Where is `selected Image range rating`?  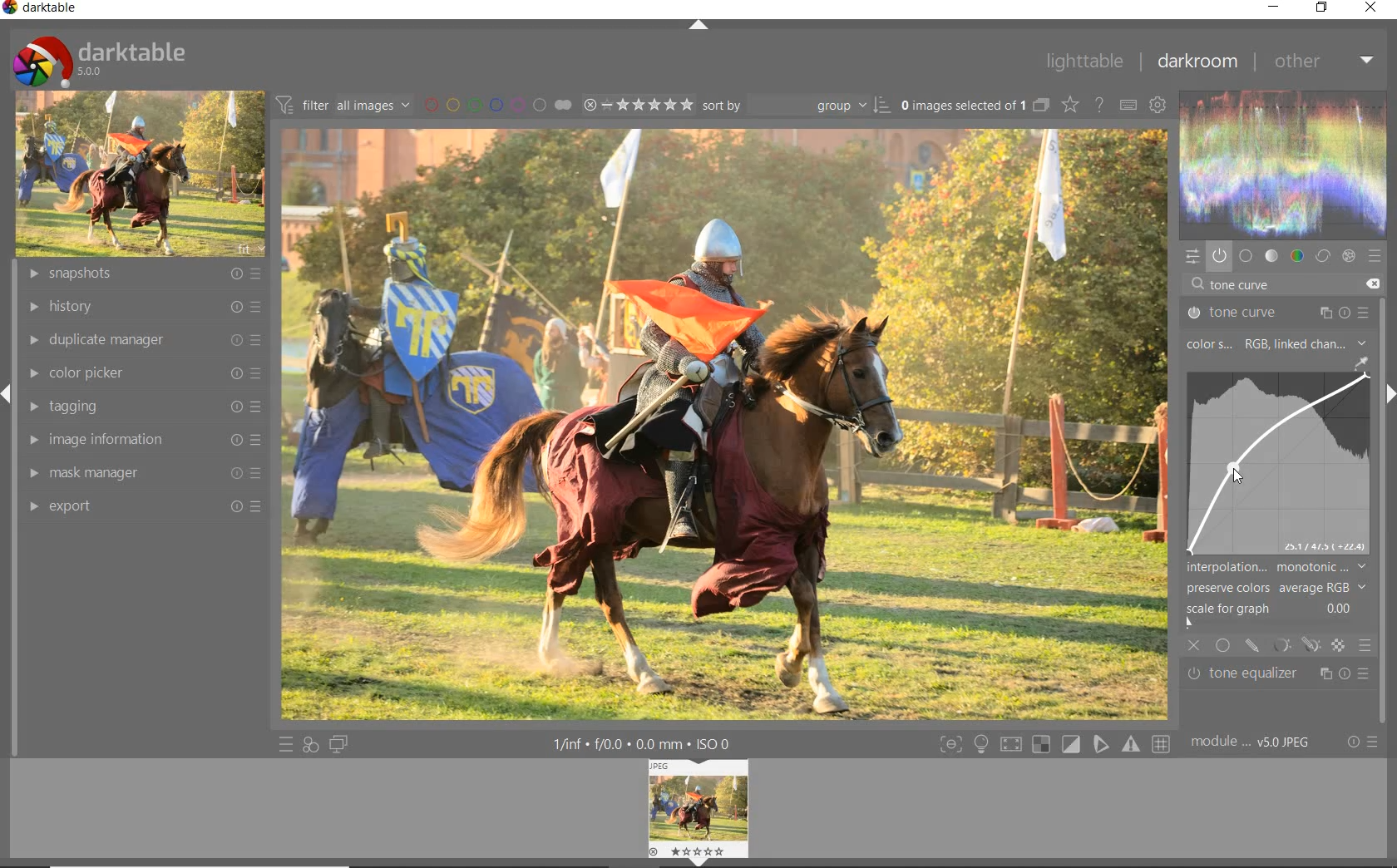 selected Image range rating is located at coordinates (636, 105).